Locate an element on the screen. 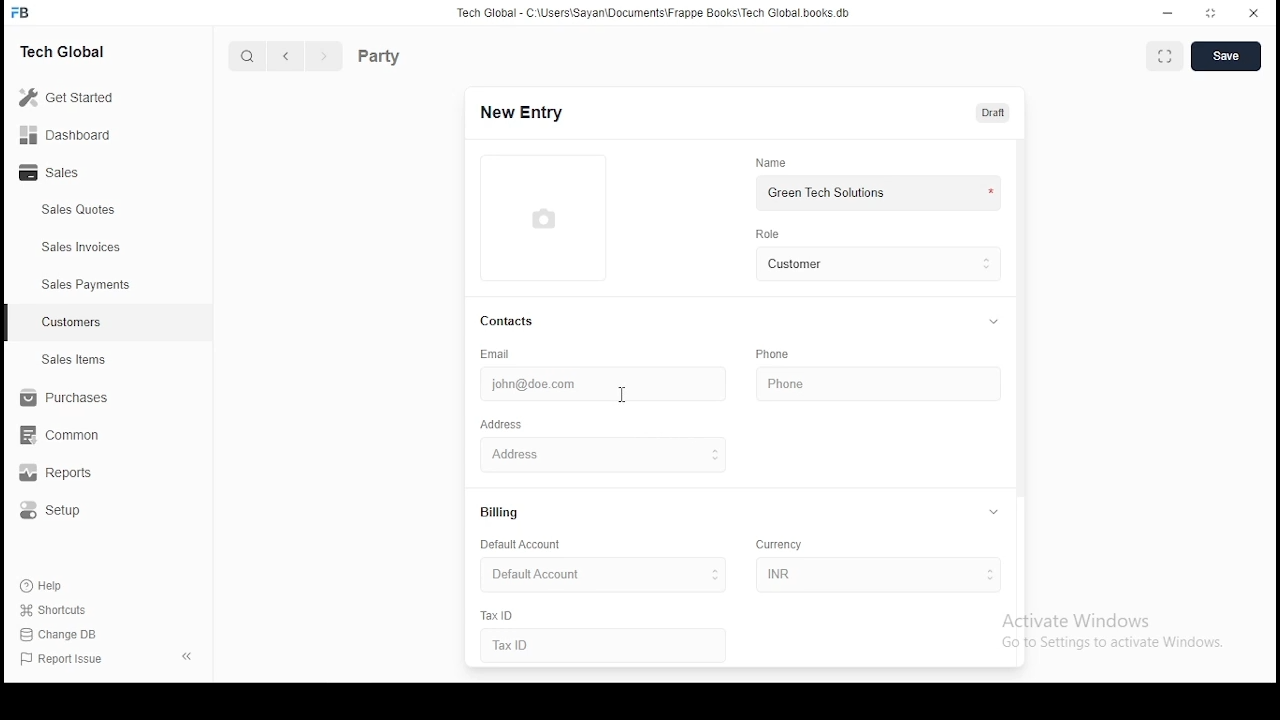 The image size is (1280, 720). get started is located at coordinates (69, 97).